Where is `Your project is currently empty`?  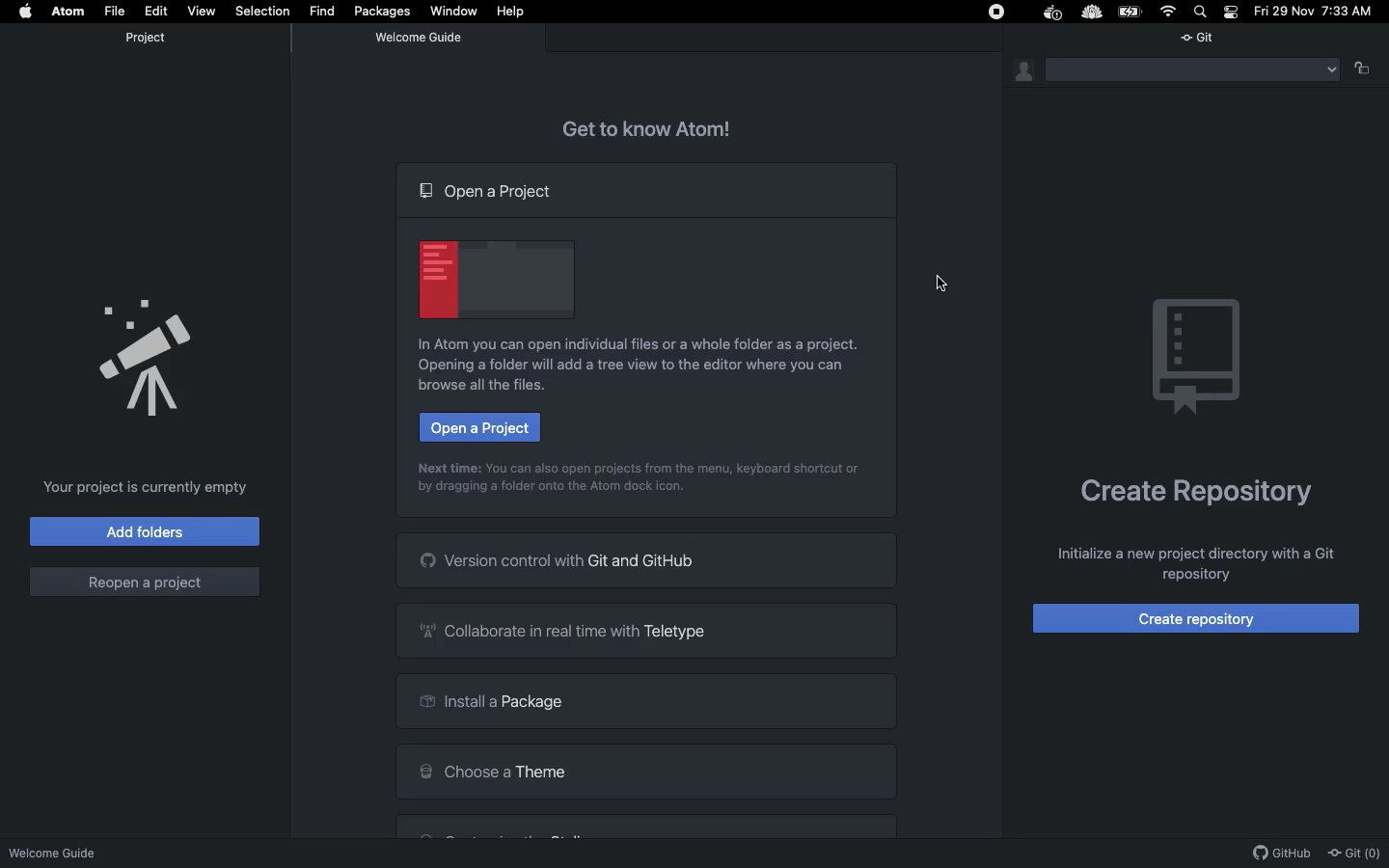 Your project is currently empty is located at coordinates (149, 490).